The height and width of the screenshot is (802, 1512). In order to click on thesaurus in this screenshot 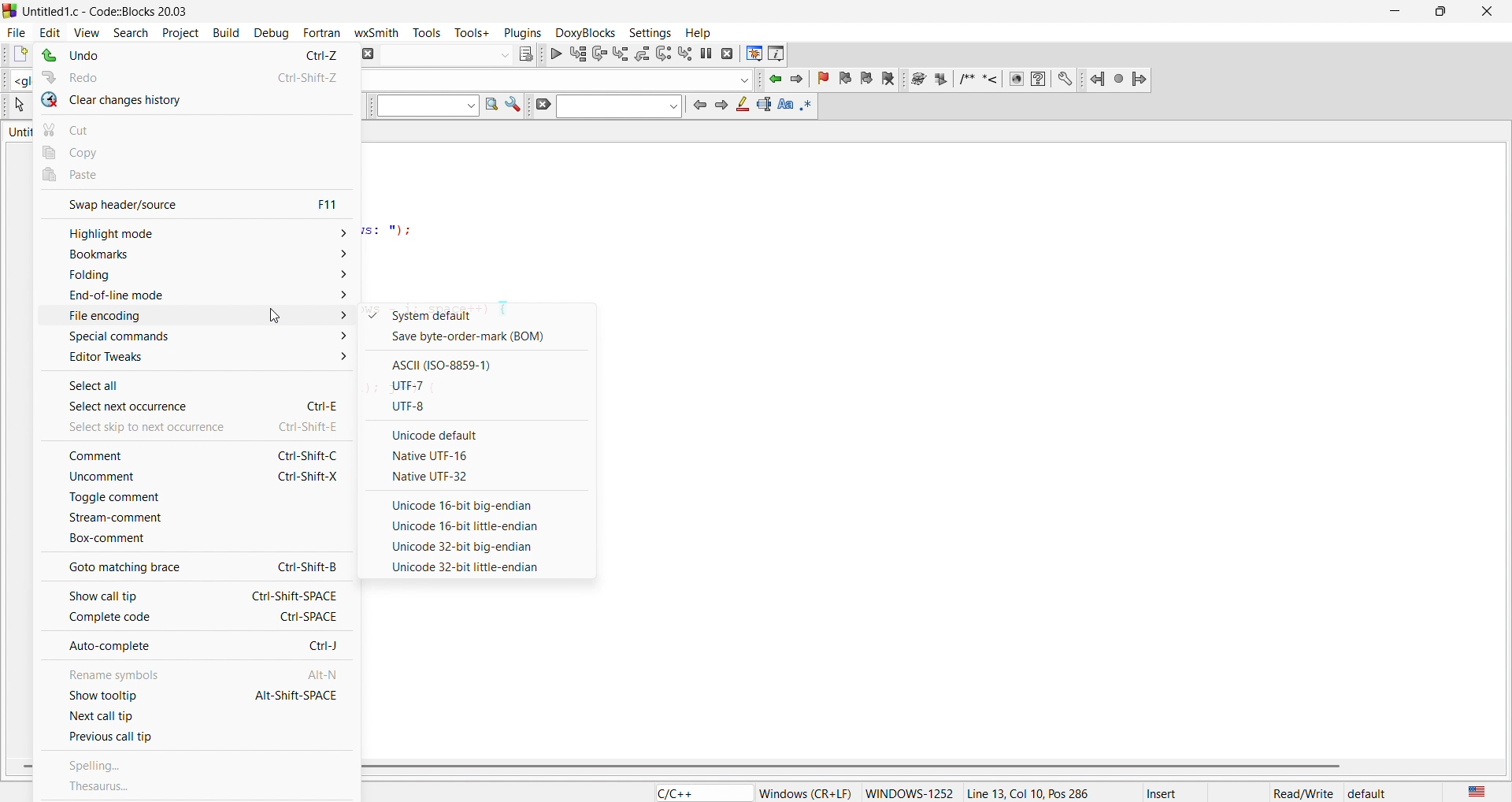, I will do `click(201, 791)`.